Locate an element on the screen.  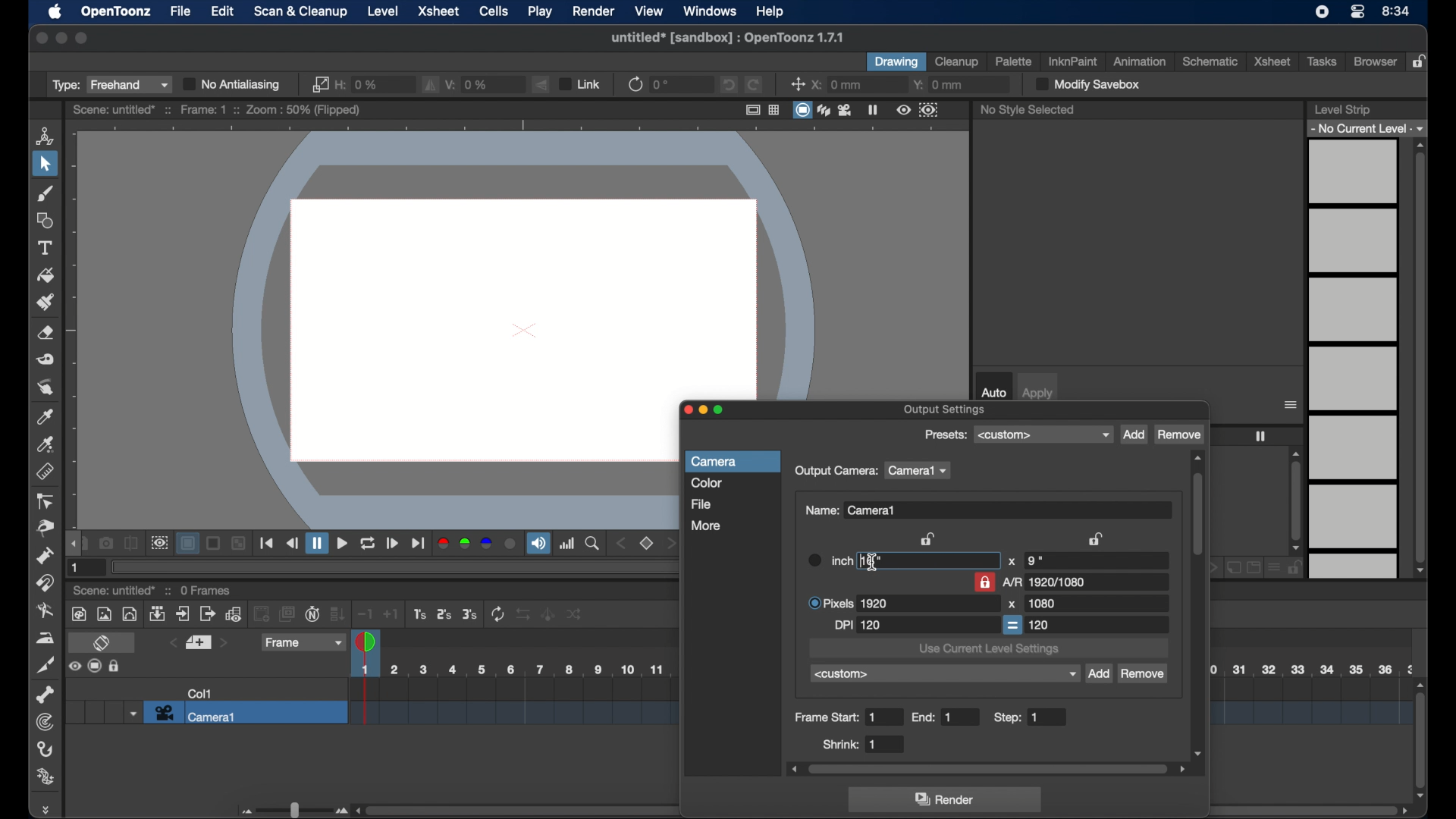
 is located at coordinates (234, 613).